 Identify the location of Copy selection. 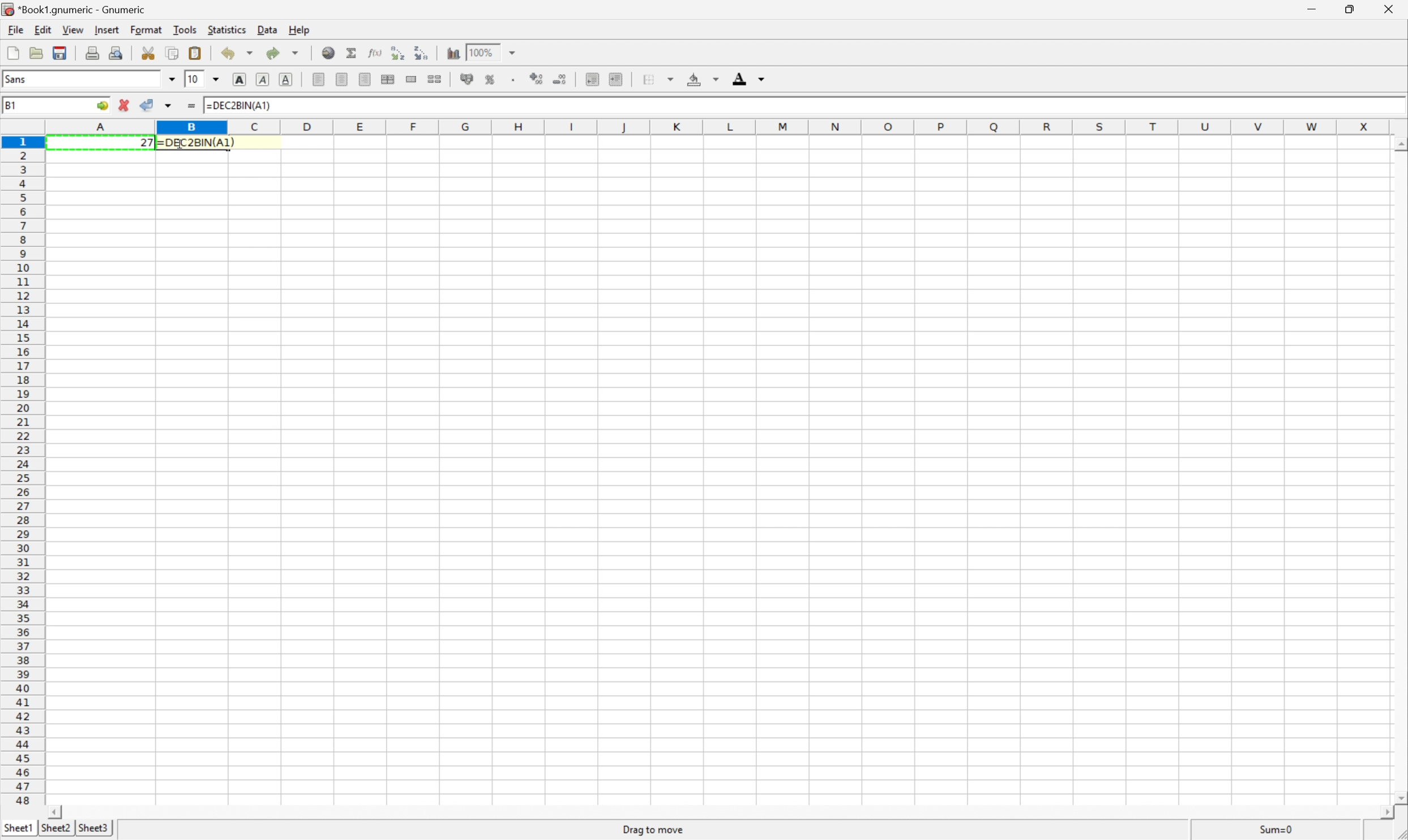
(173, 53).